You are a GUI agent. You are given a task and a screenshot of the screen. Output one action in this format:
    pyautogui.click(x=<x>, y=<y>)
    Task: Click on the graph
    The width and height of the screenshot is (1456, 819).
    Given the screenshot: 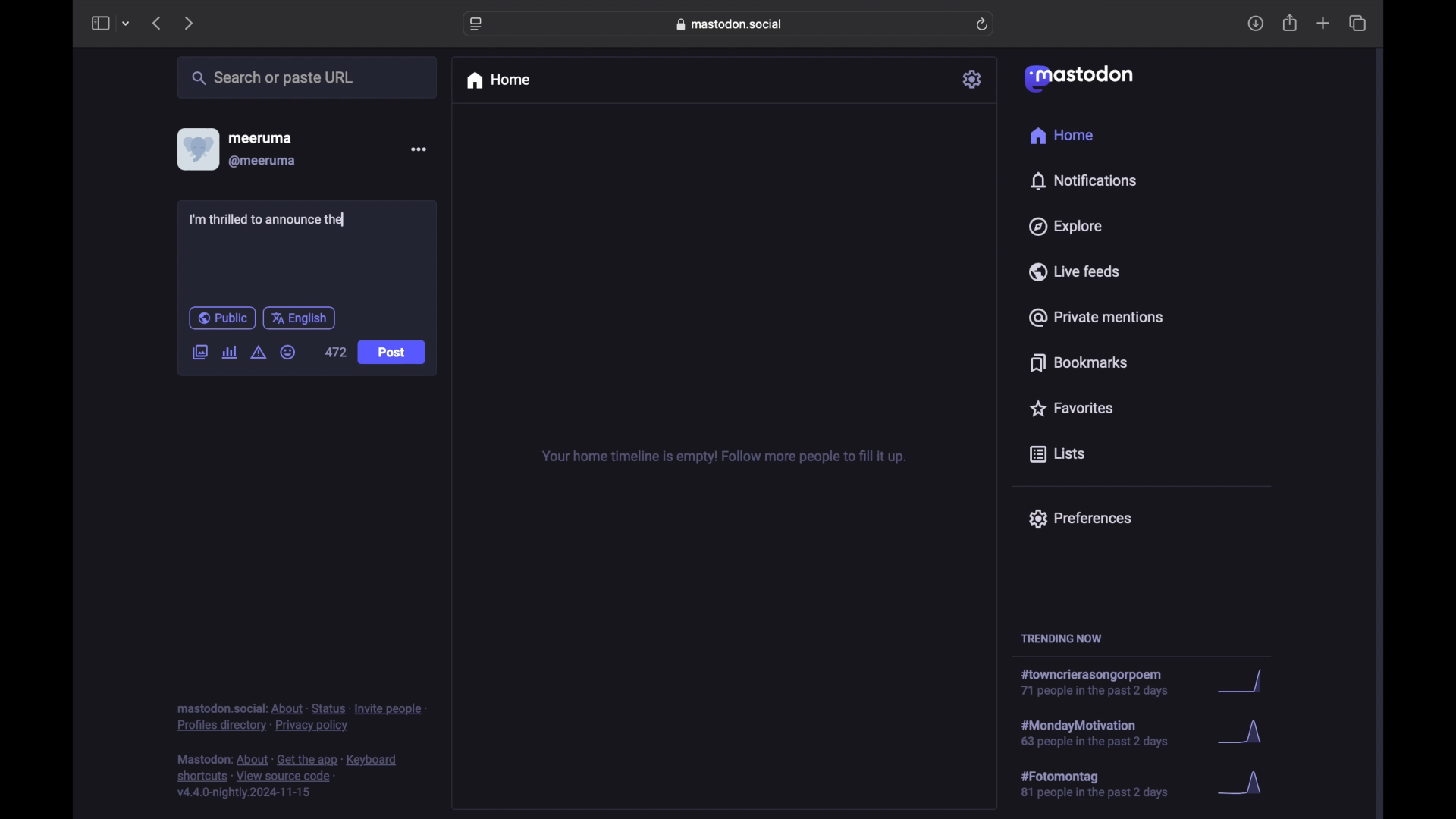 What is the action you would take?
    pyautogui.click(x=1246, y=682)
    